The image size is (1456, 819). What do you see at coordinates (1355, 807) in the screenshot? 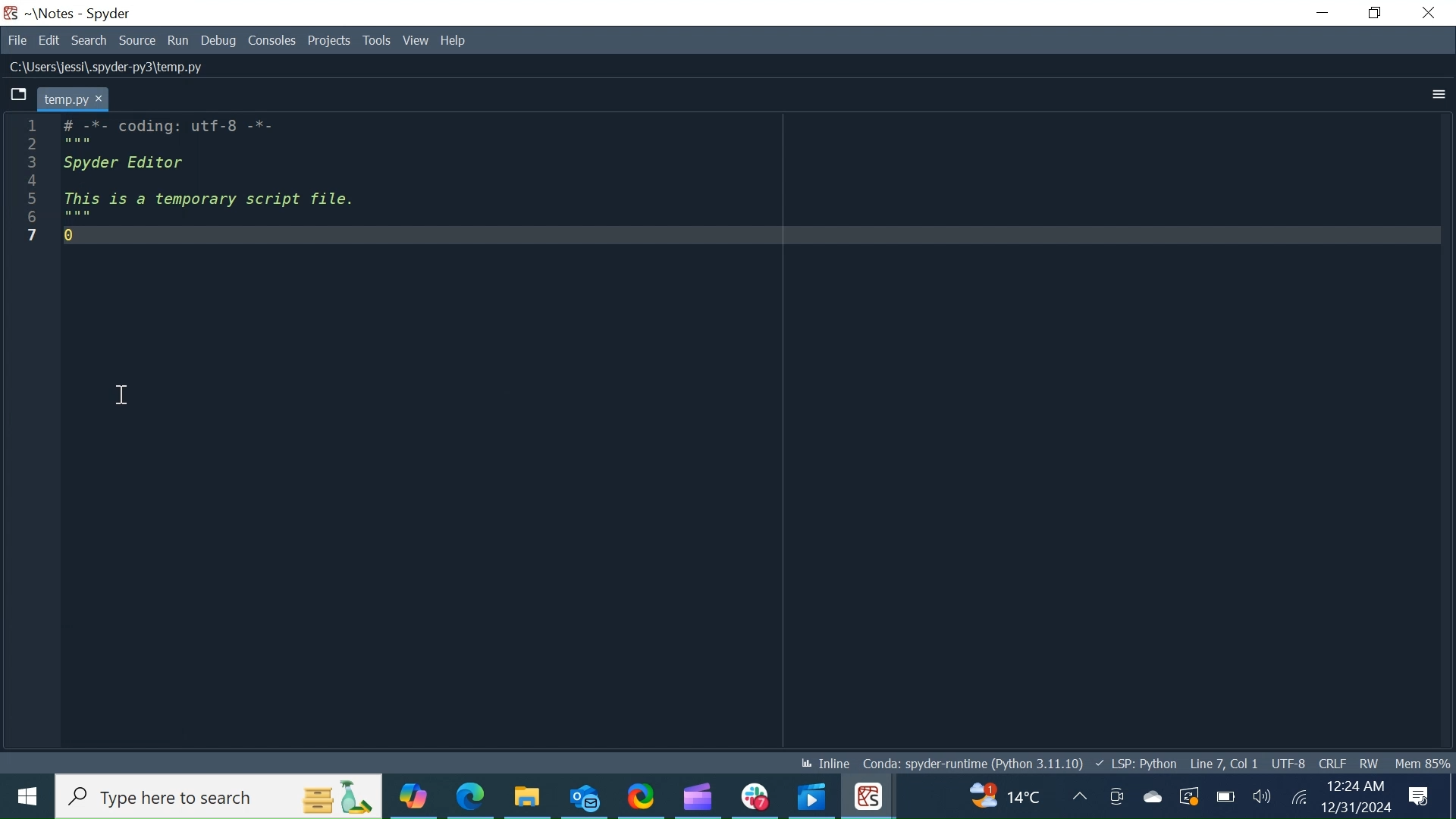
I see `12/31/2024` at bounding box center [1355, 807].